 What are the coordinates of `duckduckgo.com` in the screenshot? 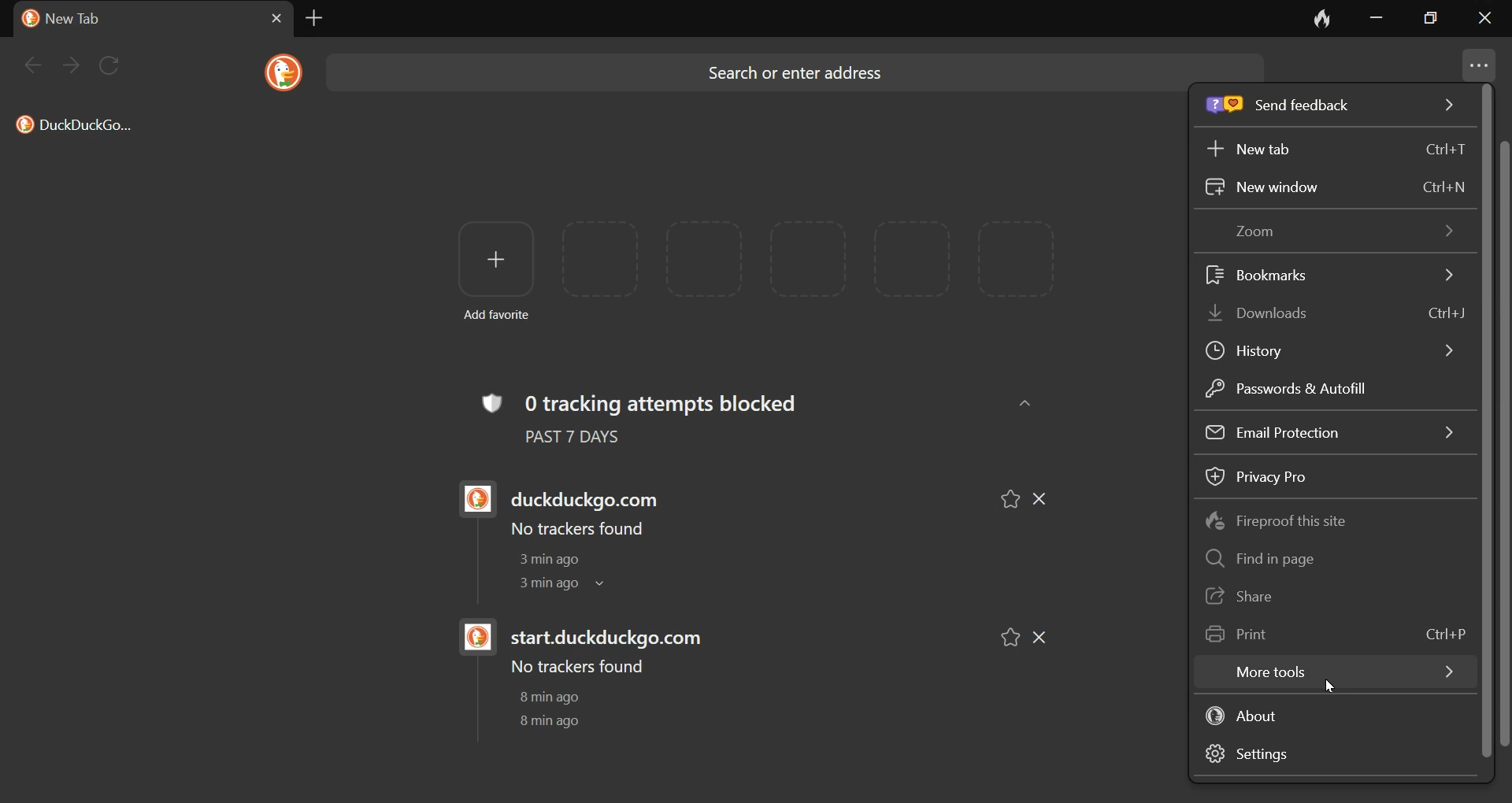 It's located at (594, 494).